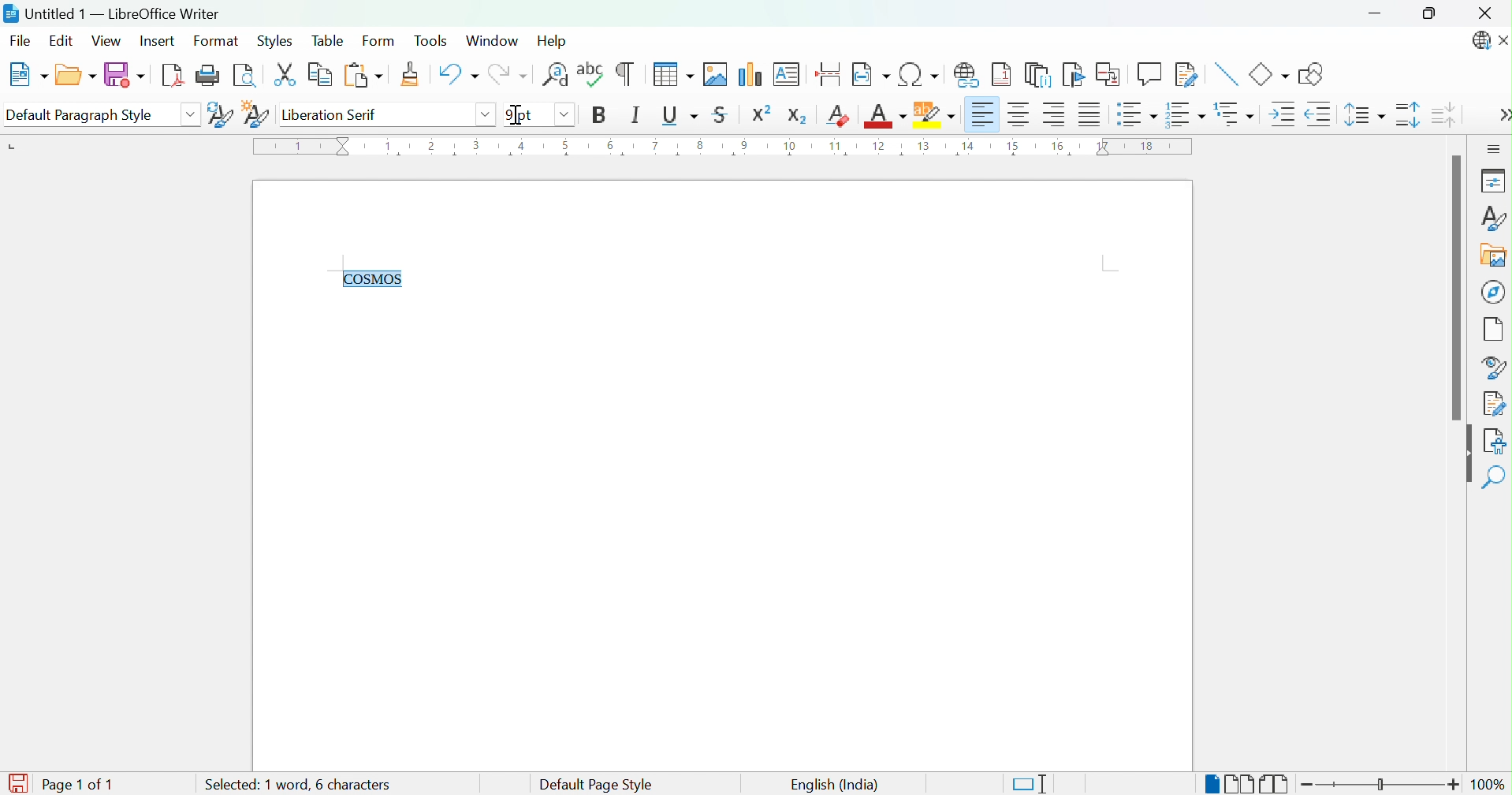 The image size is (1512, 795). What do you see at coordinates (274, 41) in the screenshot?
I see `Styles` at bounding box center [274, 41].